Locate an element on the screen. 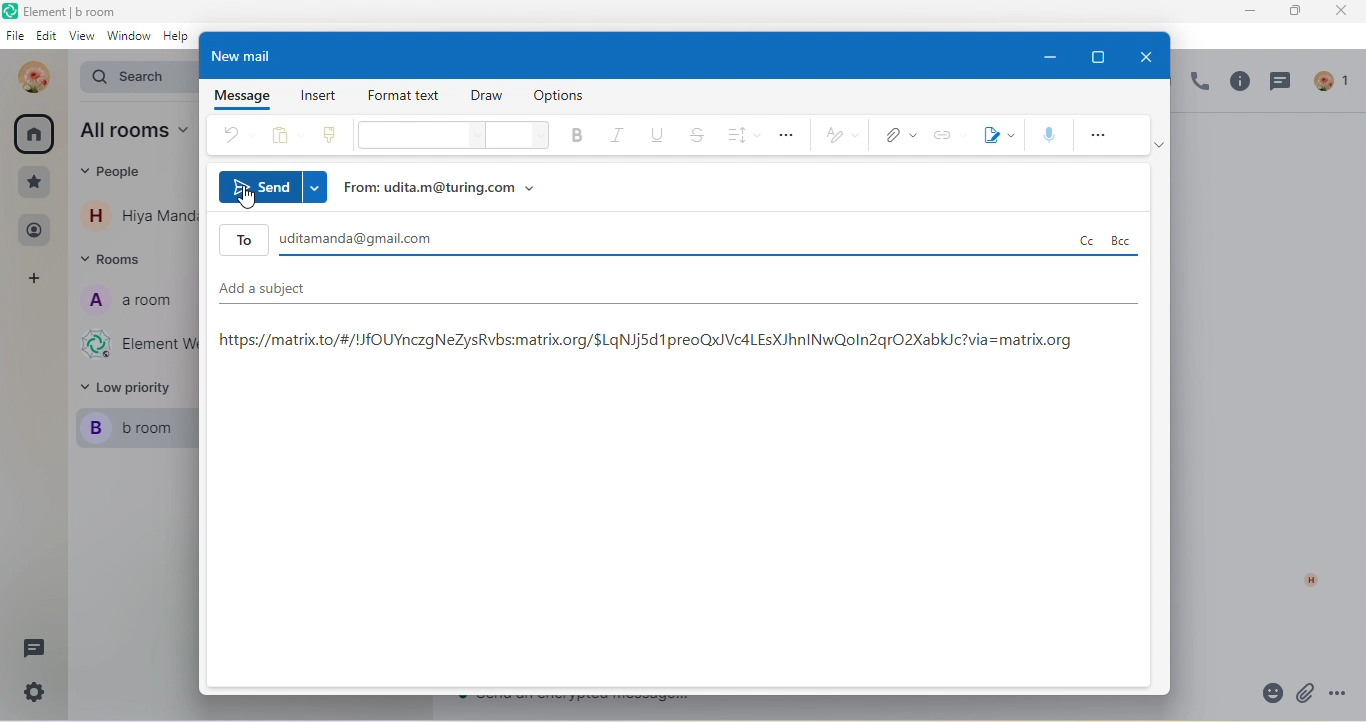 This screenshot has height=722, width=1366. udita mandal is located at coordinates (29, 77).